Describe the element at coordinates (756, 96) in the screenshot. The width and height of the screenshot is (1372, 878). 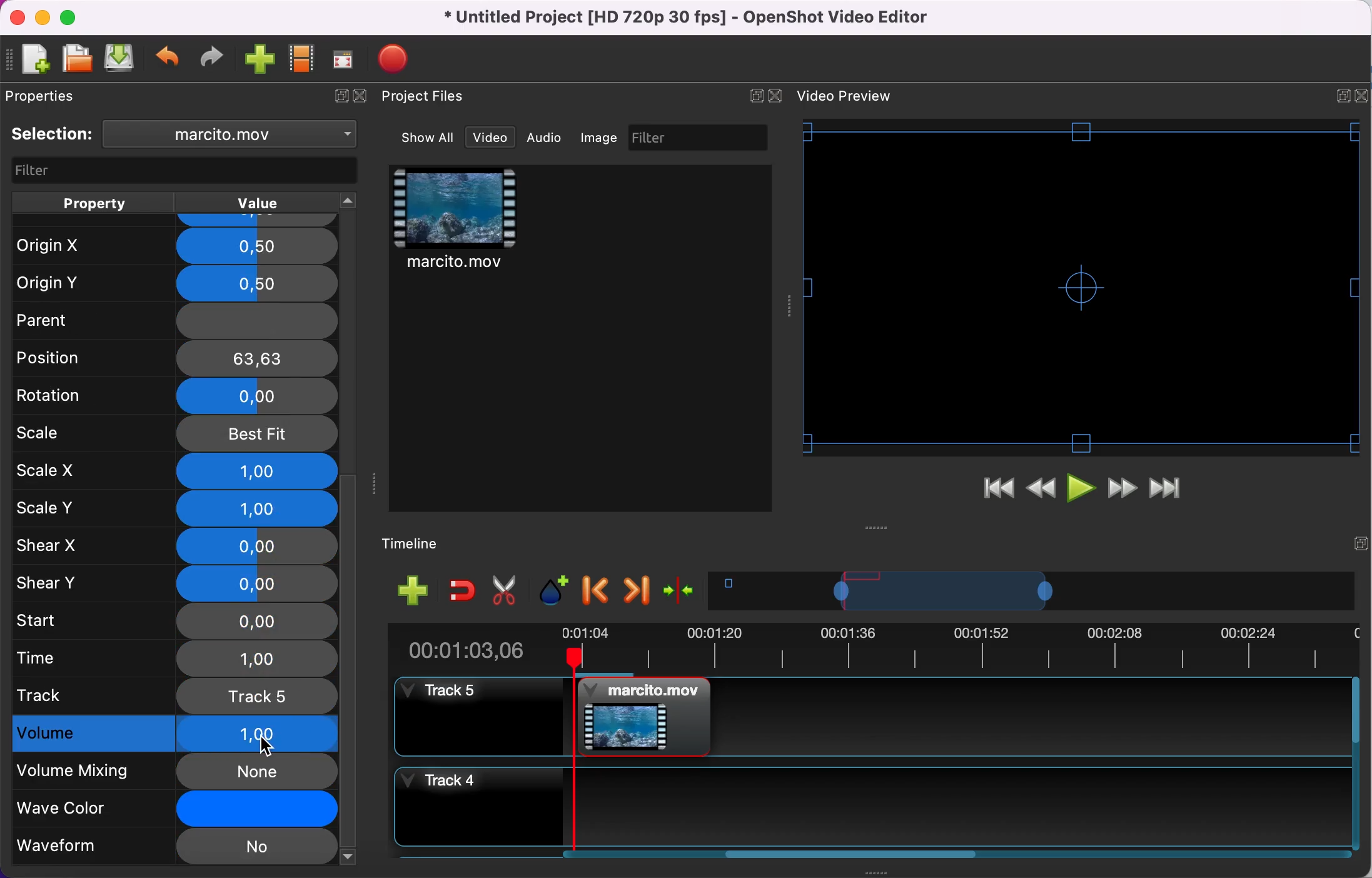
I see `Expand/Collapse` at that location.